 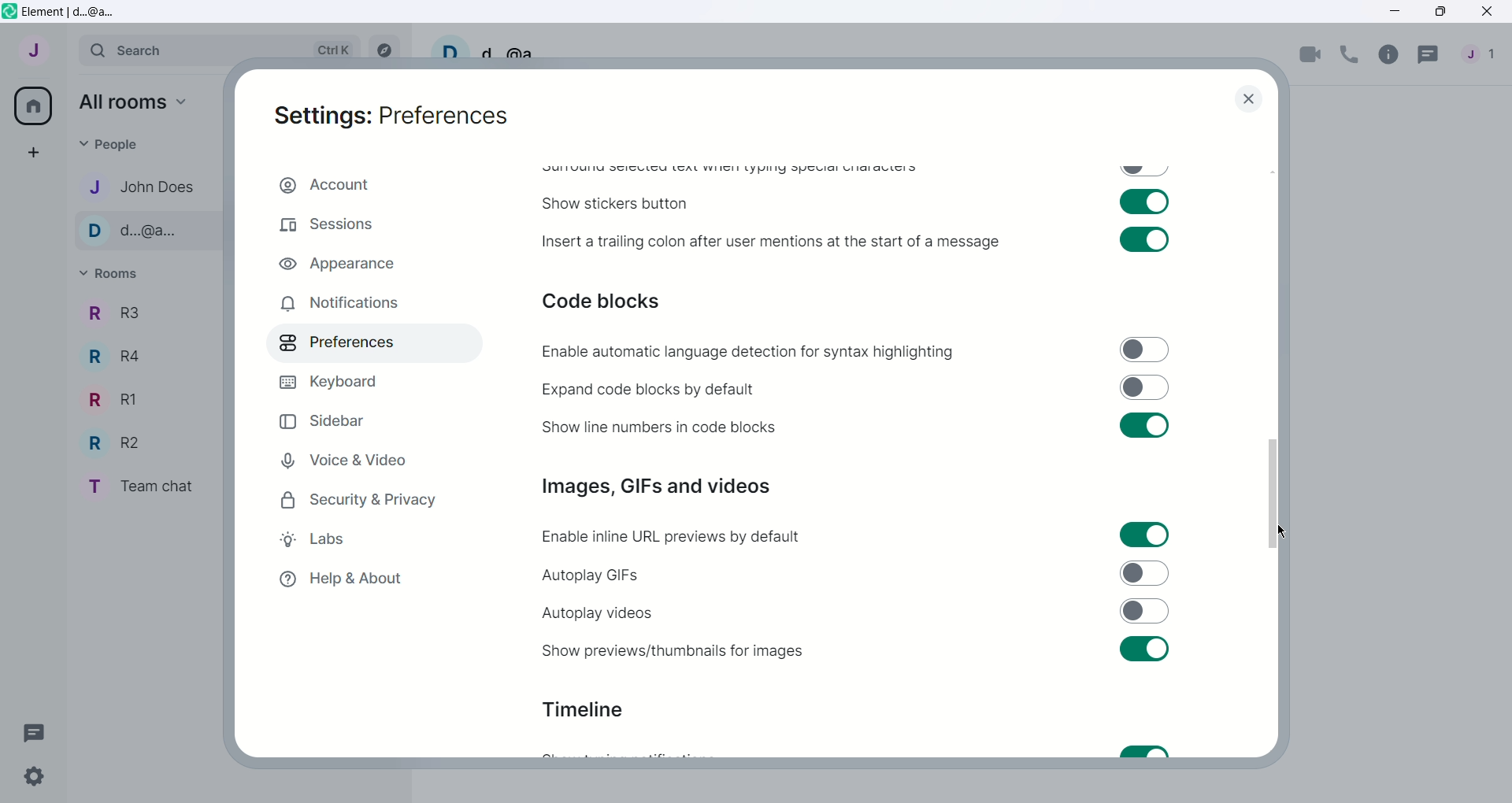 What do you see at coordinates (1484, 56) in the screenshot?
I see `People` at bounding box center [1484, 56].